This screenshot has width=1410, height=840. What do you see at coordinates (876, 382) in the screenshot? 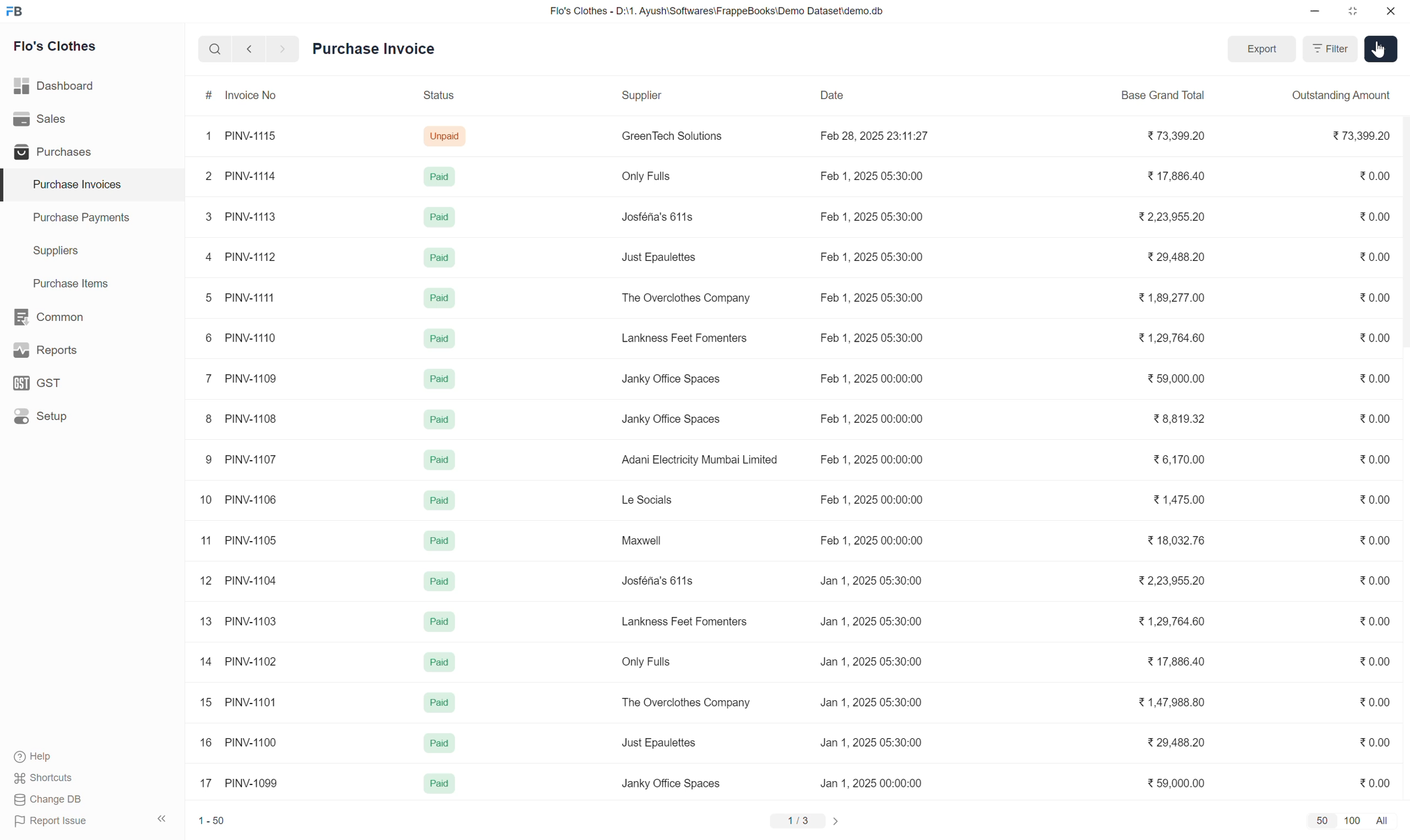
I see `Feb 1, 2025 00:00:00` at bounding box center [876, 382].